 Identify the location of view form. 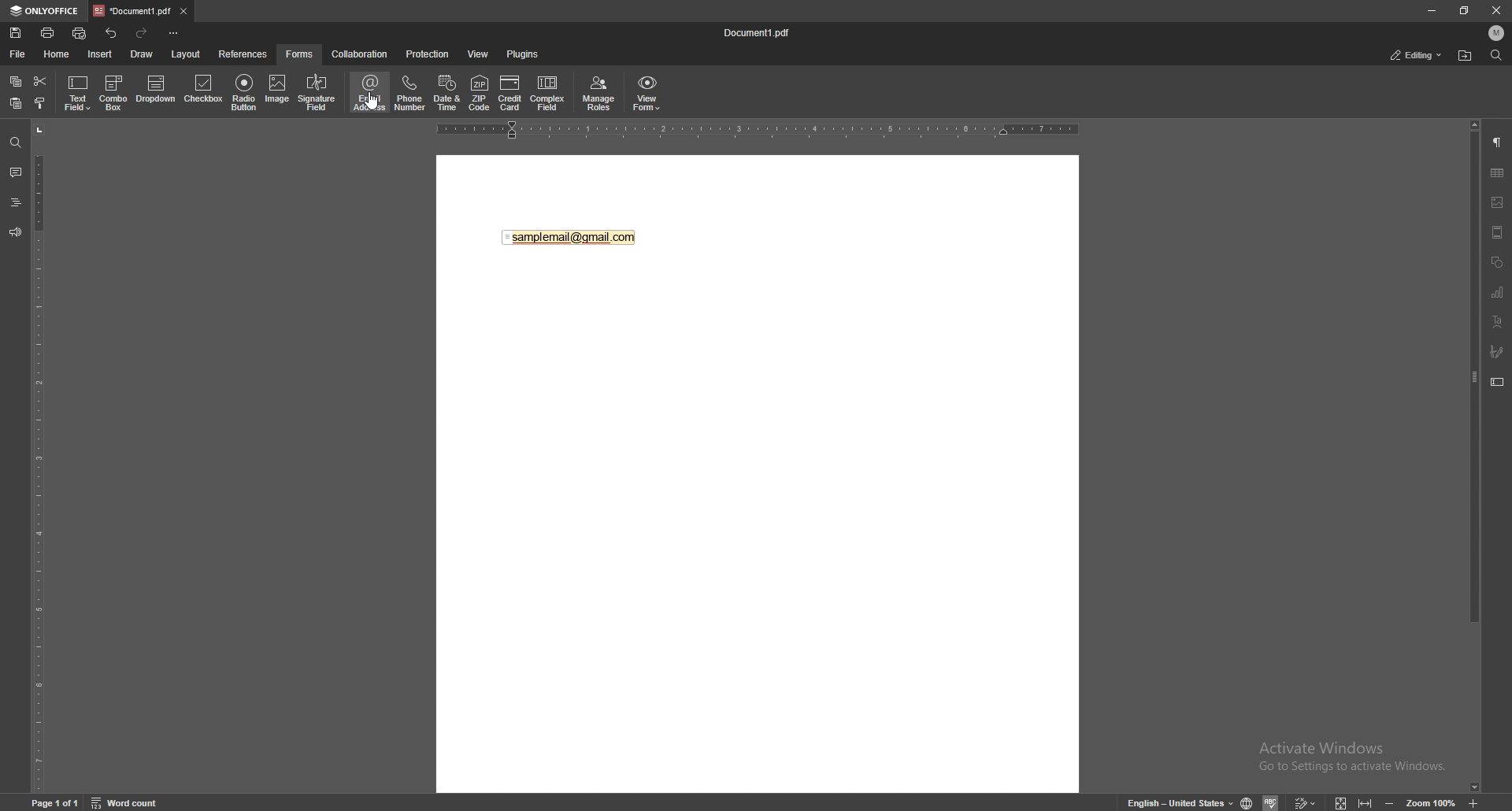
(647, 94).